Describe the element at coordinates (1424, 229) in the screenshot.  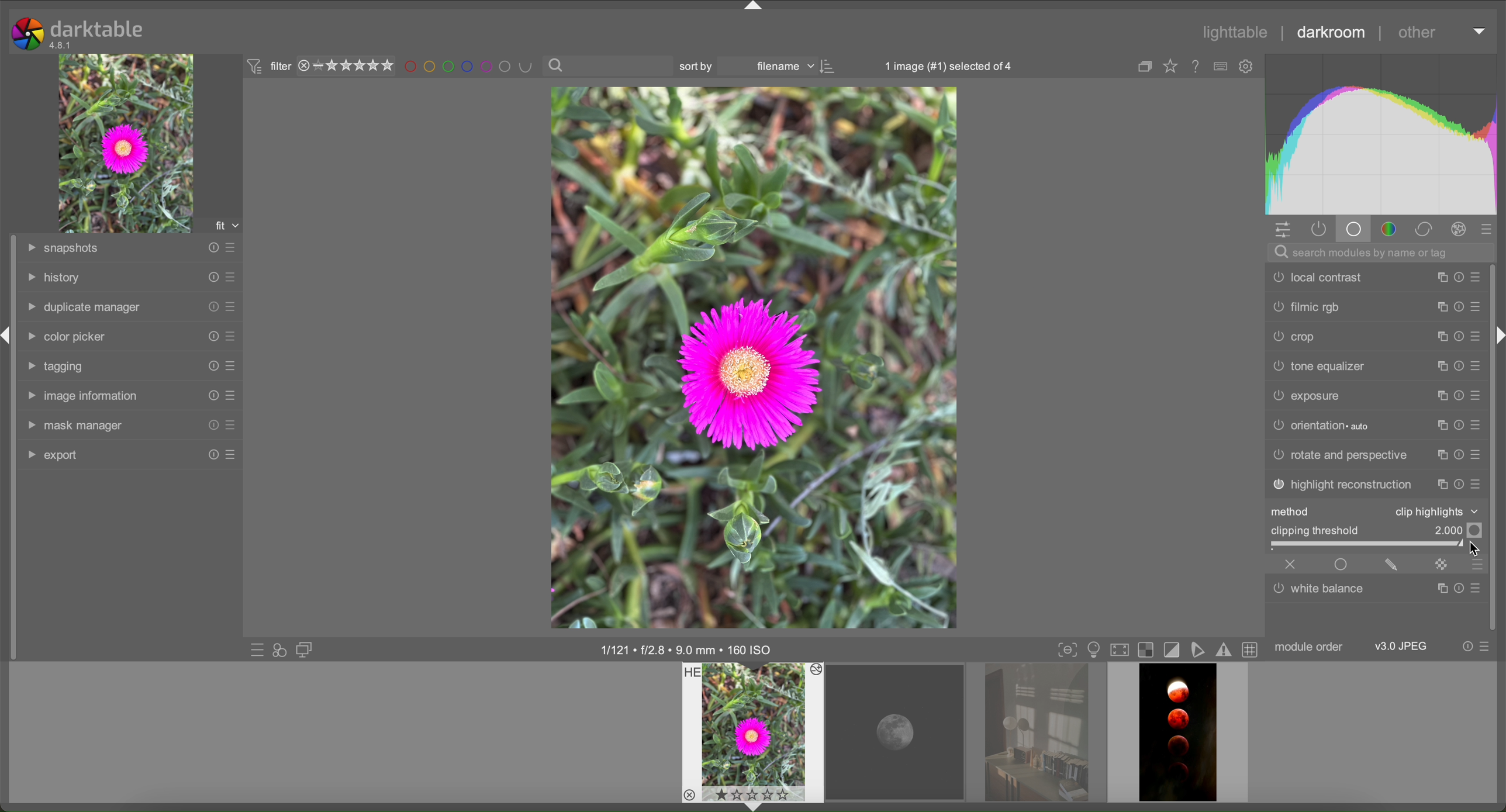
I see `correct` at that location.